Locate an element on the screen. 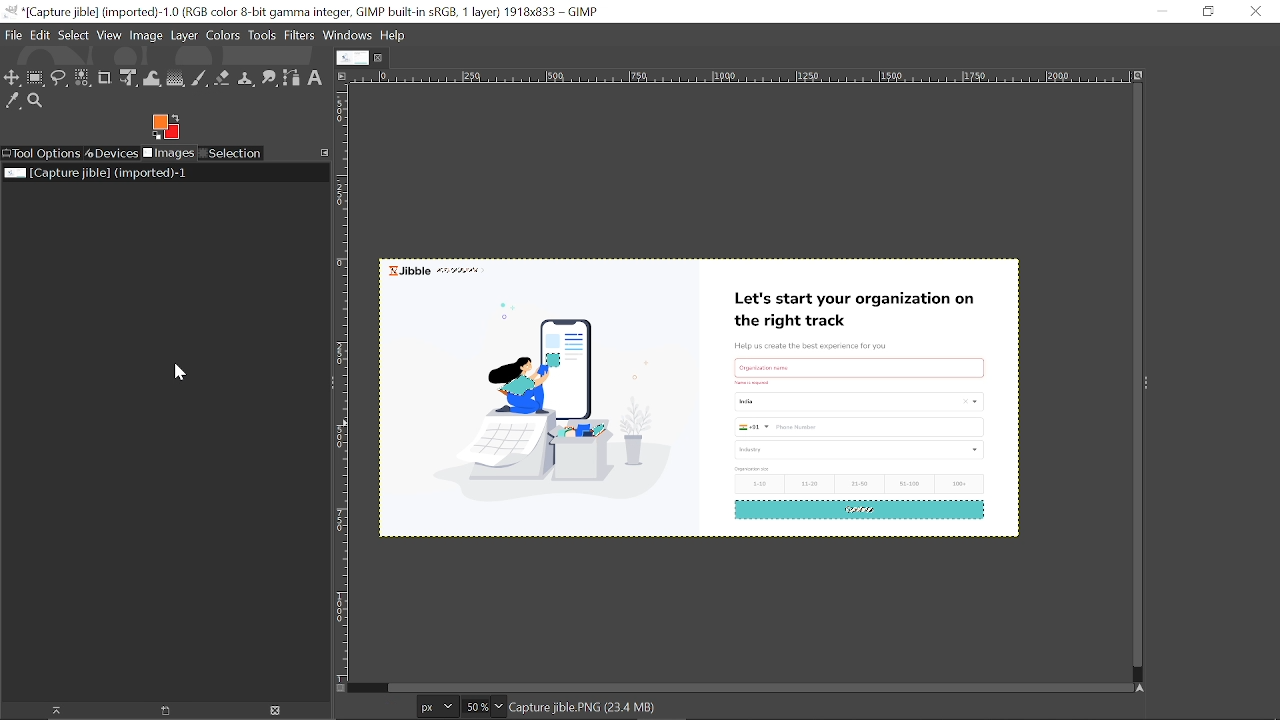 This screenshot has width=1280, height=720. Tool options is located at coordinates (41, 154).